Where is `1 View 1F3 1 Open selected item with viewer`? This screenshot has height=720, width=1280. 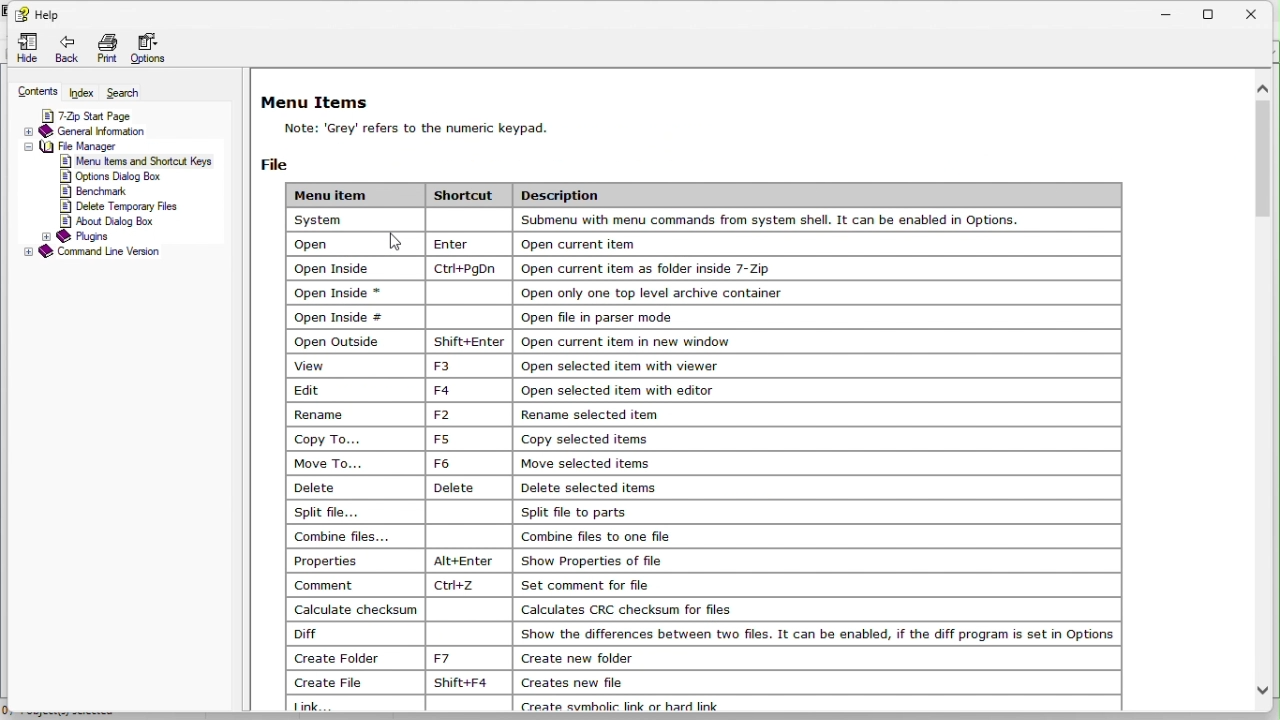 1 View 1F3 1 Open selected item with viewer is located at coordinates (512, 365).